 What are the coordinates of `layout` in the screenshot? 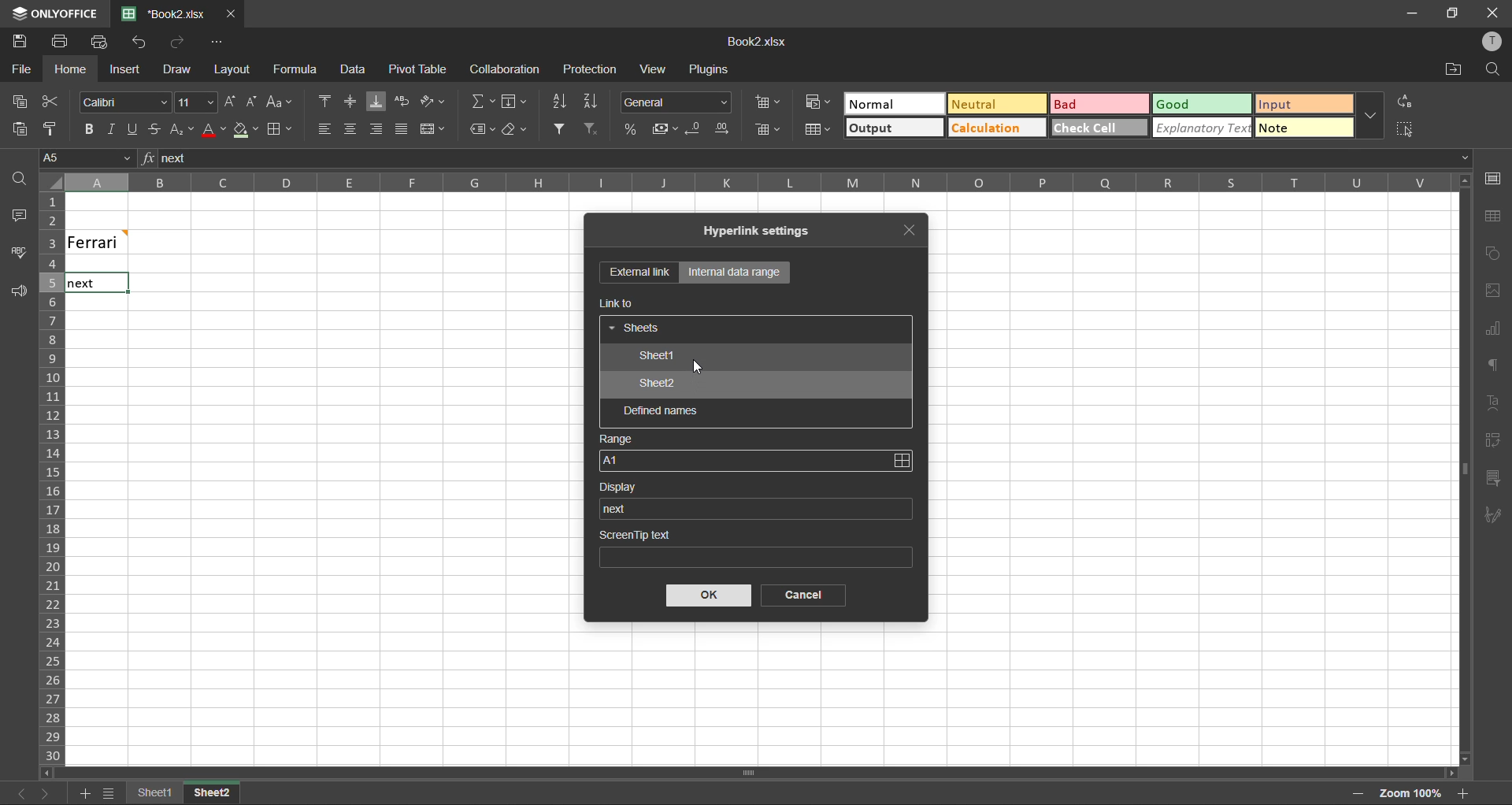 It's located at (229, 69).